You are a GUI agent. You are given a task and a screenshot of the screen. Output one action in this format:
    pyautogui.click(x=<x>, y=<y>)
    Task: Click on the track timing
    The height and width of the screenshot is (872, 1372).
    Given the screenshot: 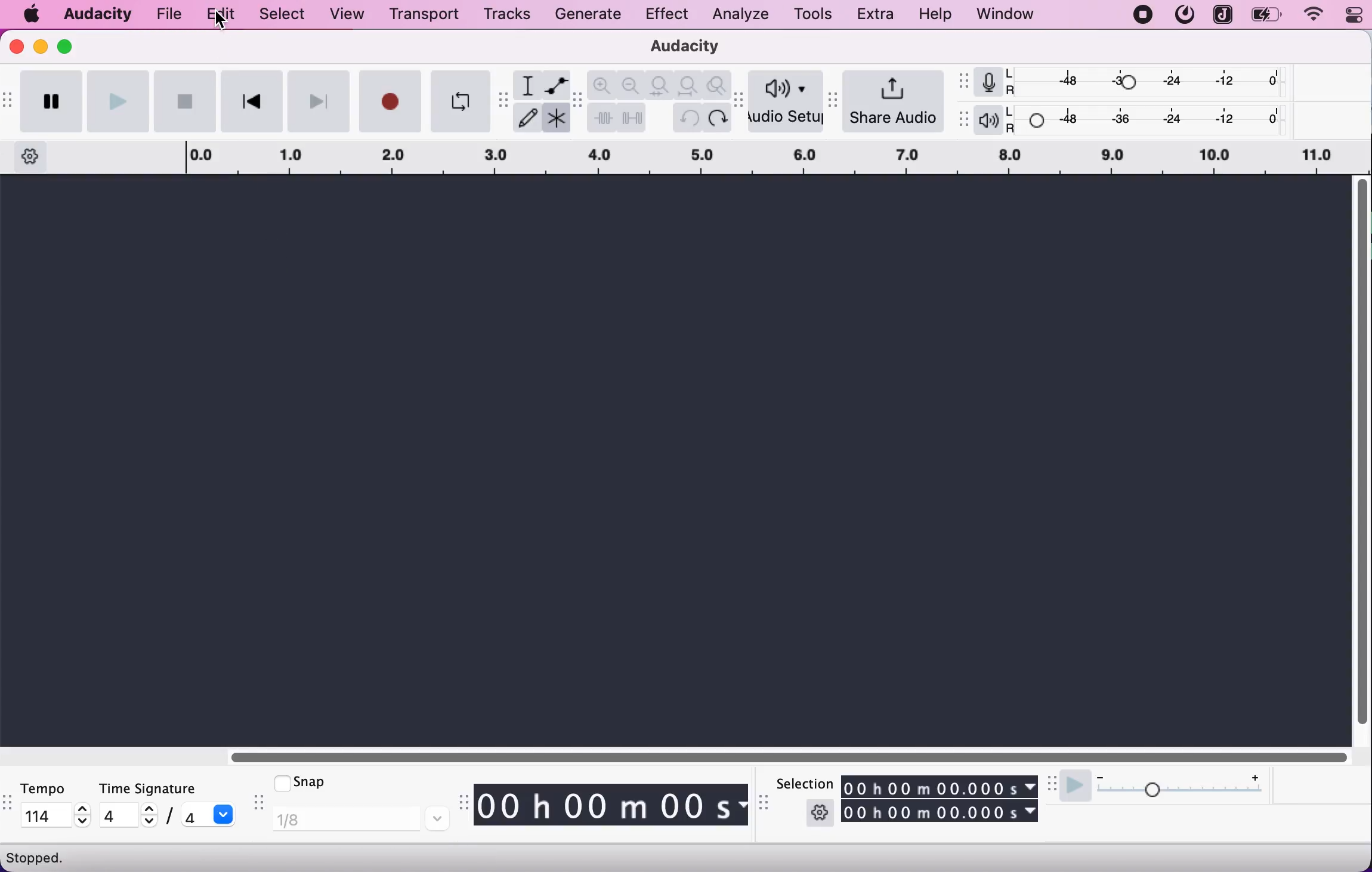 What is the action you would take?
    pyautogui.click(x=611, y=806)
    